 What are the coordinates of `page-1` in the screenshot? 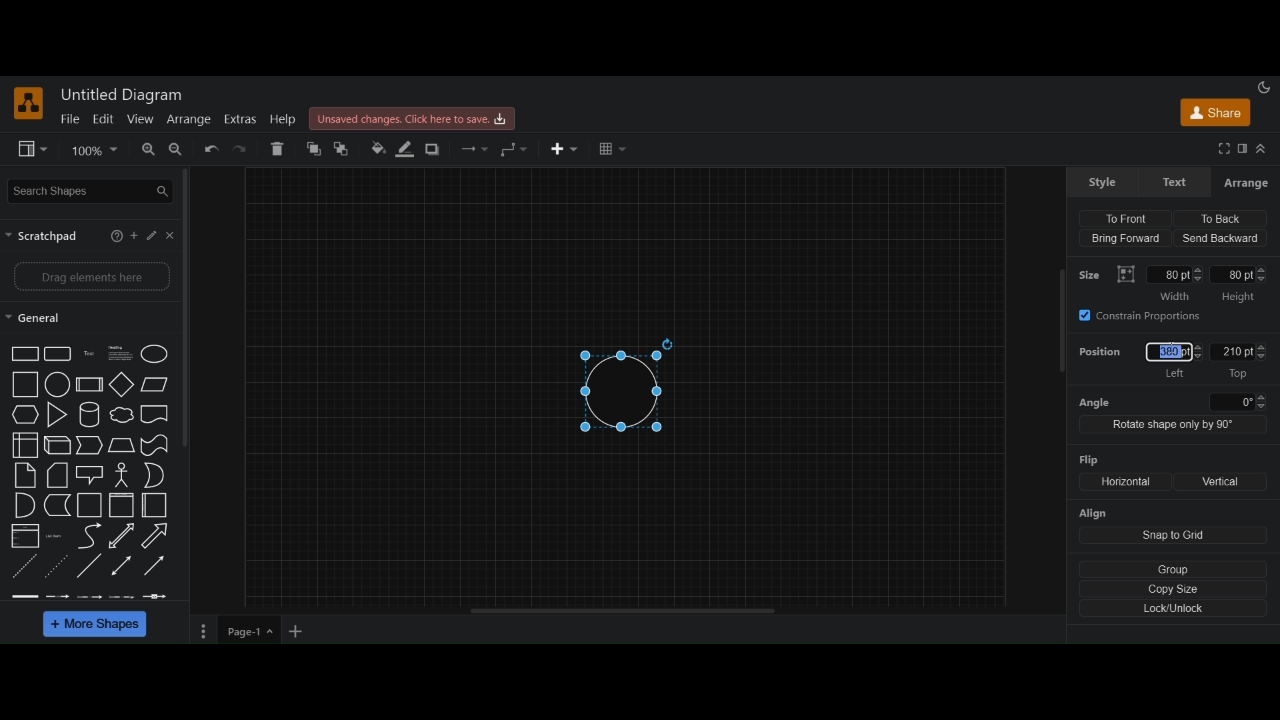 It's located at (251, 631).